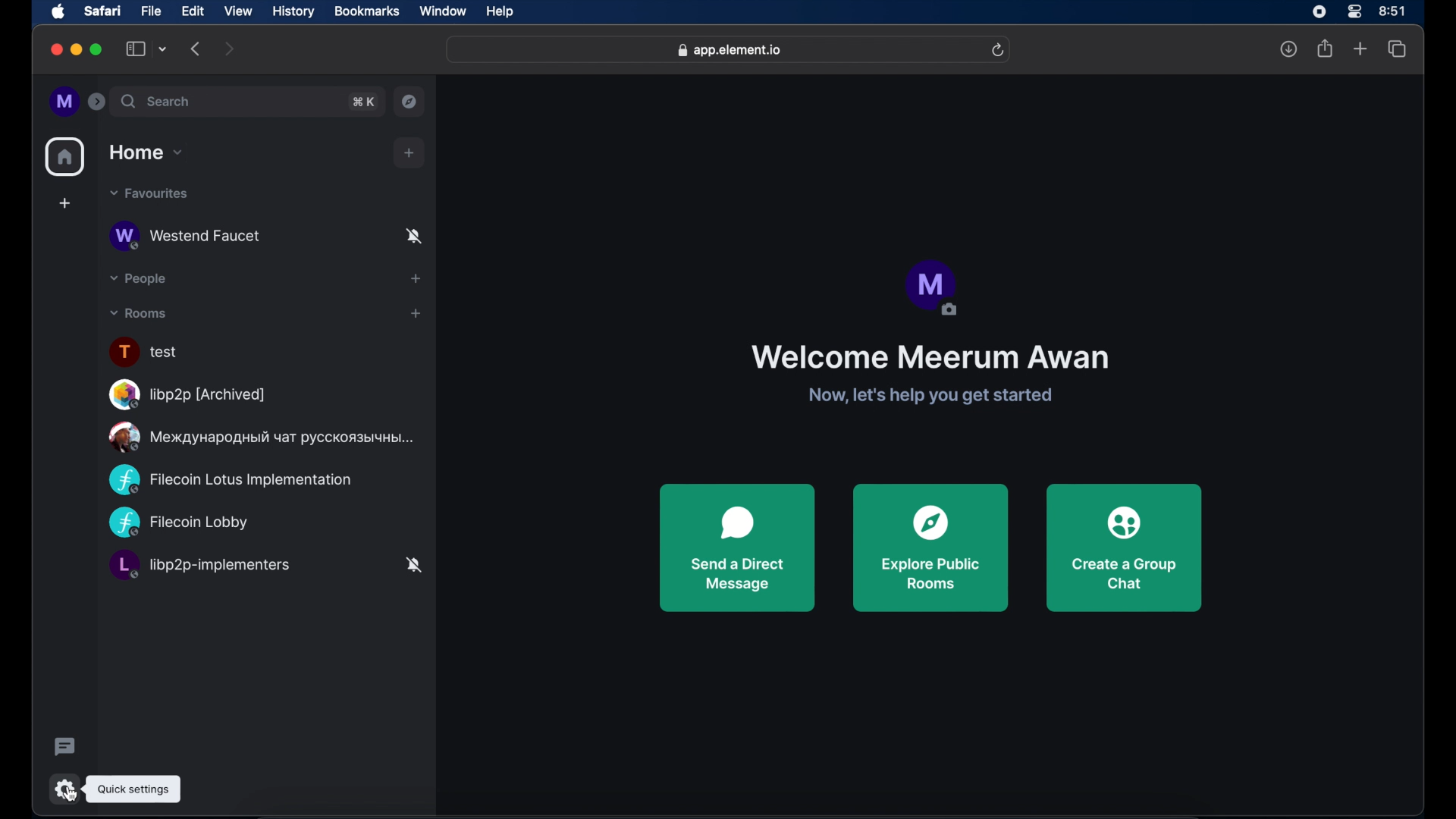 This screenshot has width=1456, height=819. Describe the element at coordinates (268, 565) in the screenshot. I see `libp2p-implementers` at that location.